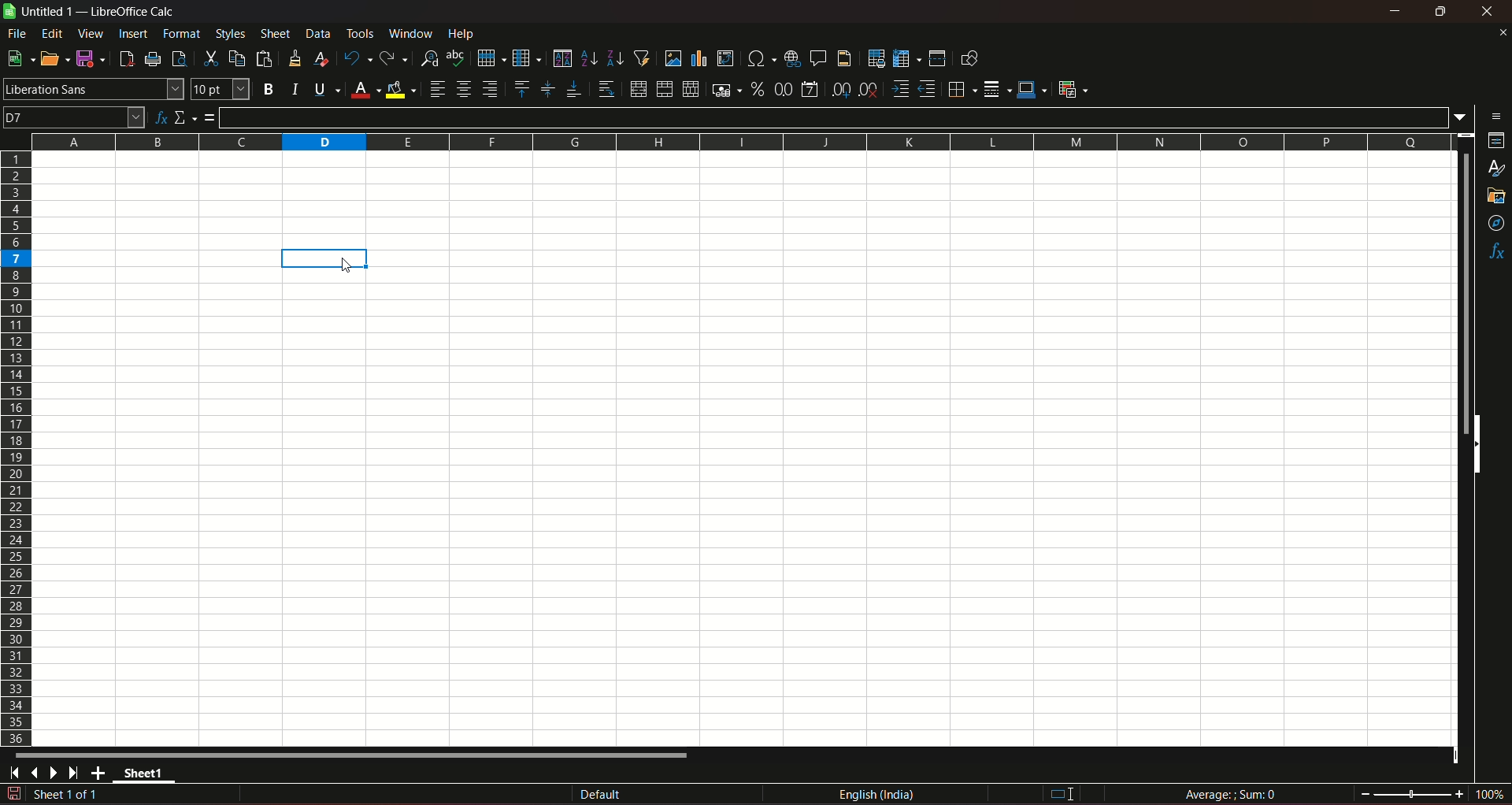 The image size is (1512, 805). I want to click on select function, so click(186, 117).